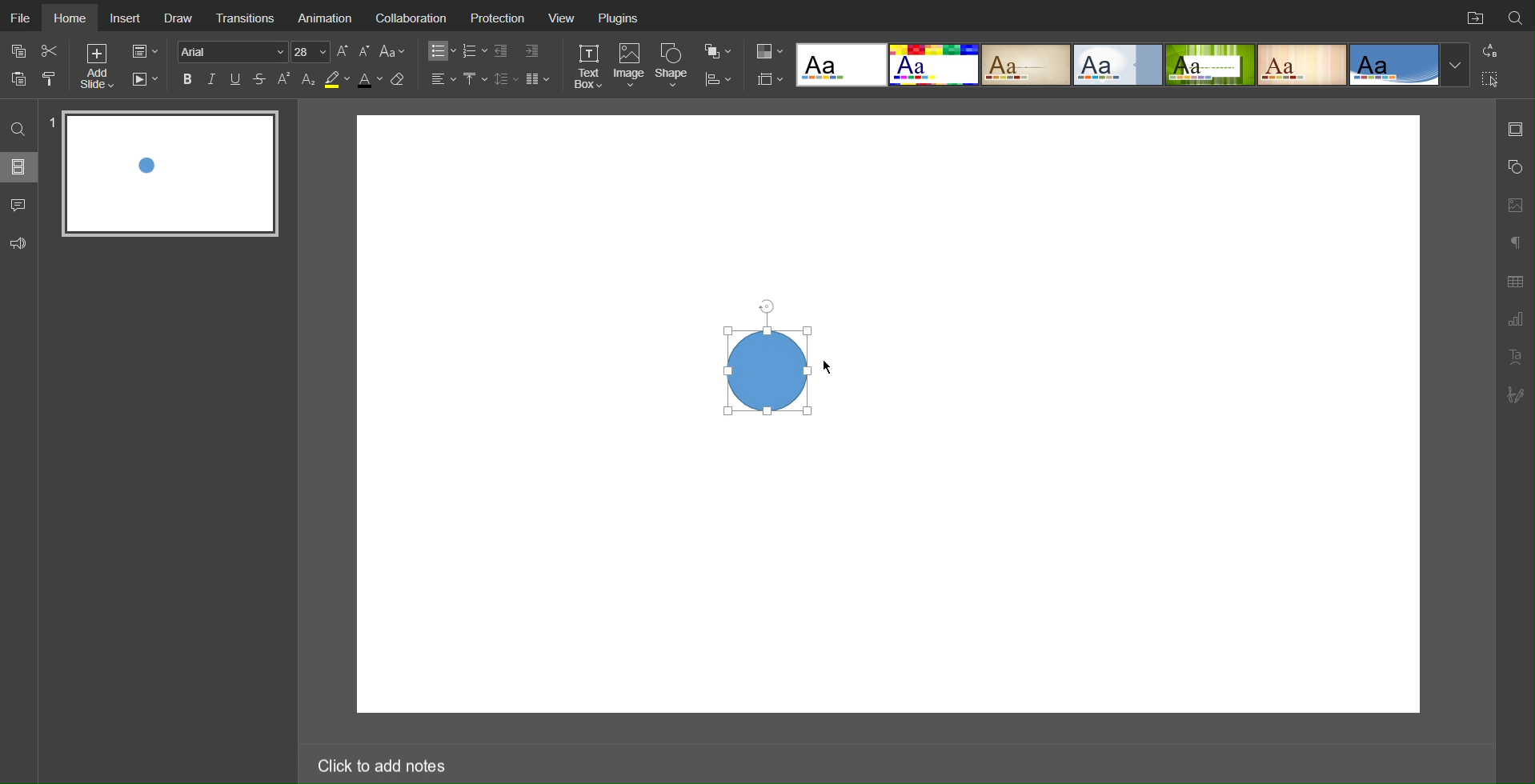 Image resolution: width=1535 pixels, height=784 pixels. Describe the element at coordinates (20, 205) in the screenshot. I see `Comments` at that location.